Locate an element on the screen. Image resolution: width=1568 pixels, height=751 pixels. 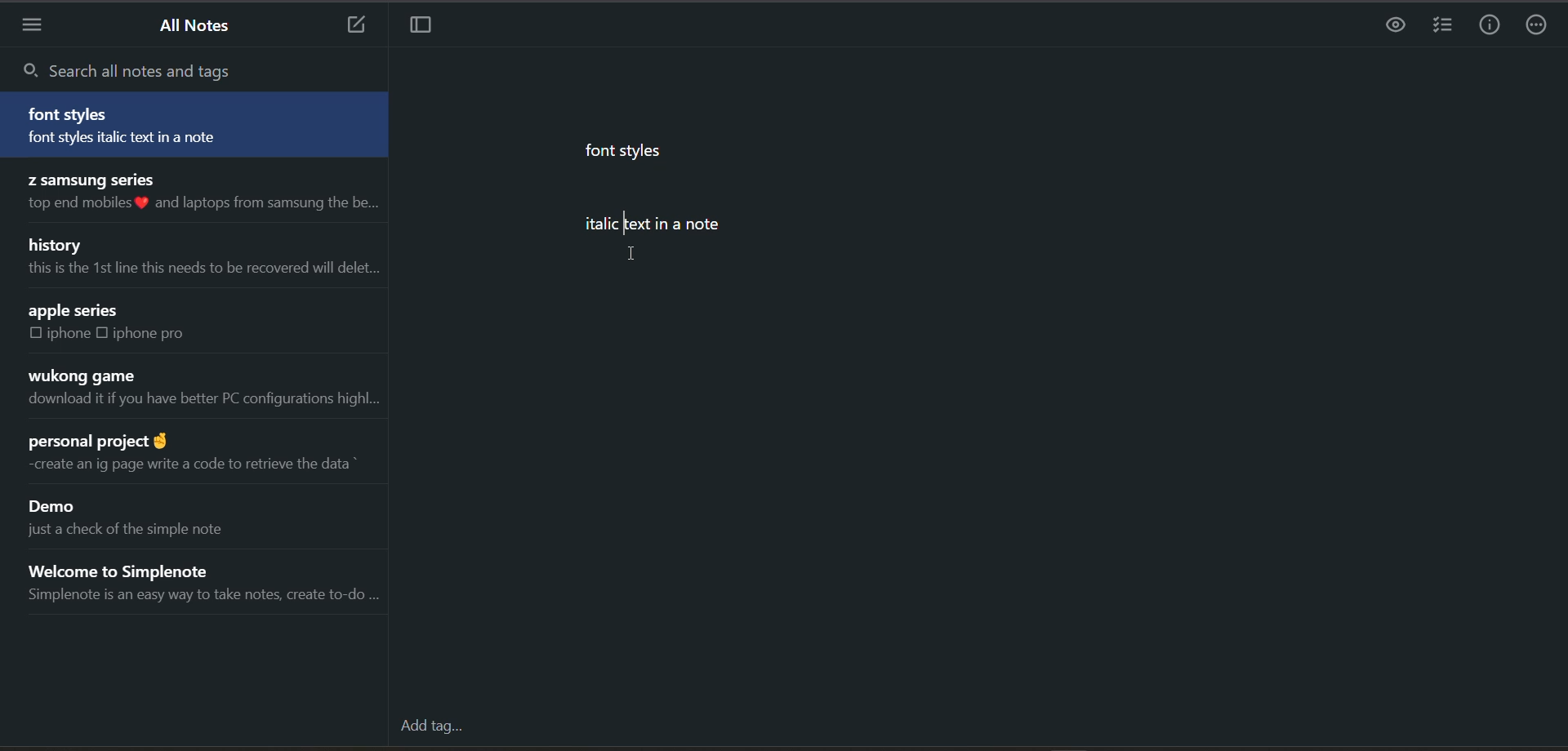
note title and preview is located at coordinates (210, 583).